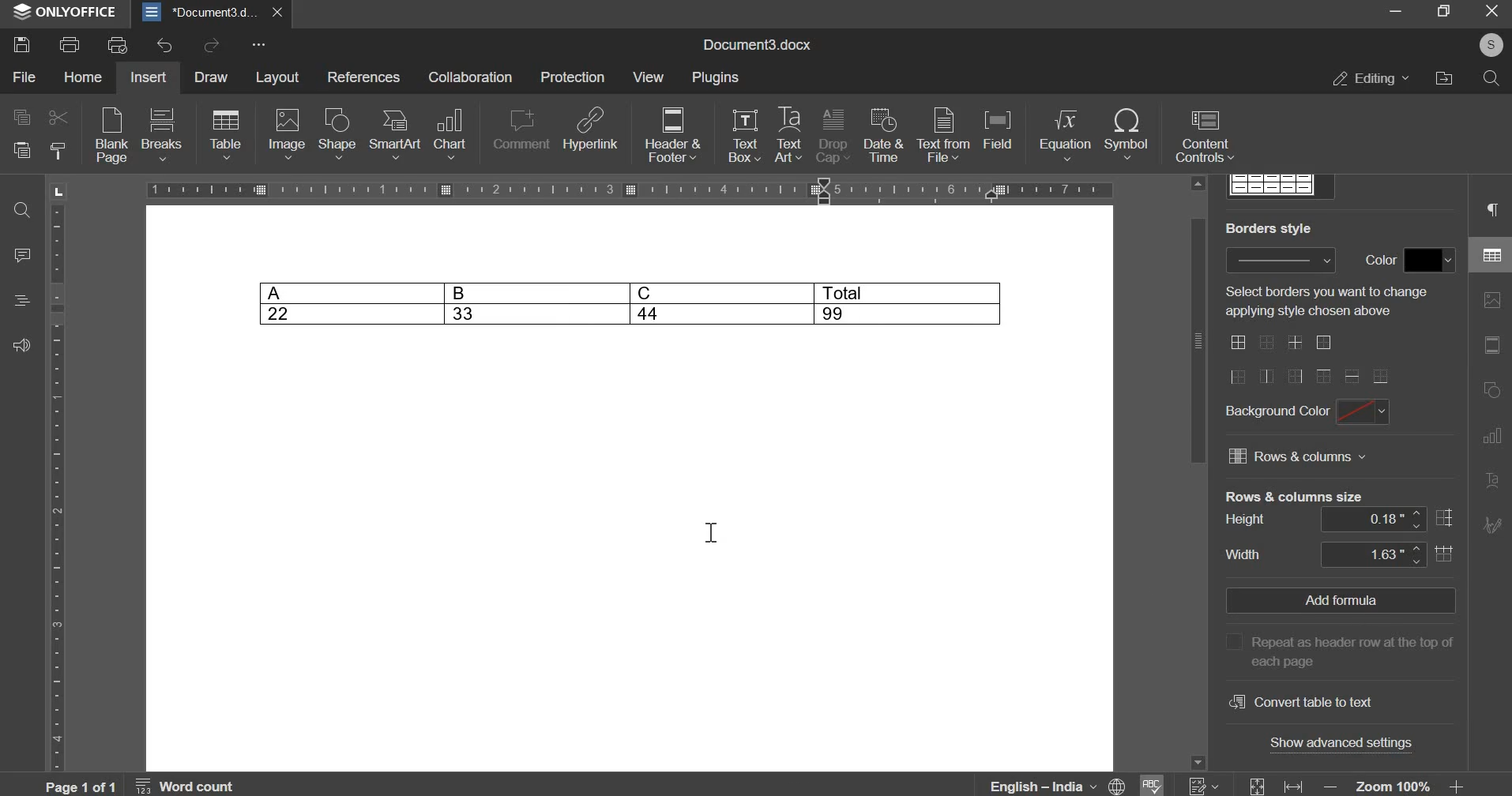 The width and height of the screenshot is (1512, 796). What do you see at coordinates (1363, 413) in the screenshot?
I see `background color` at bounding box center [1363, 413].